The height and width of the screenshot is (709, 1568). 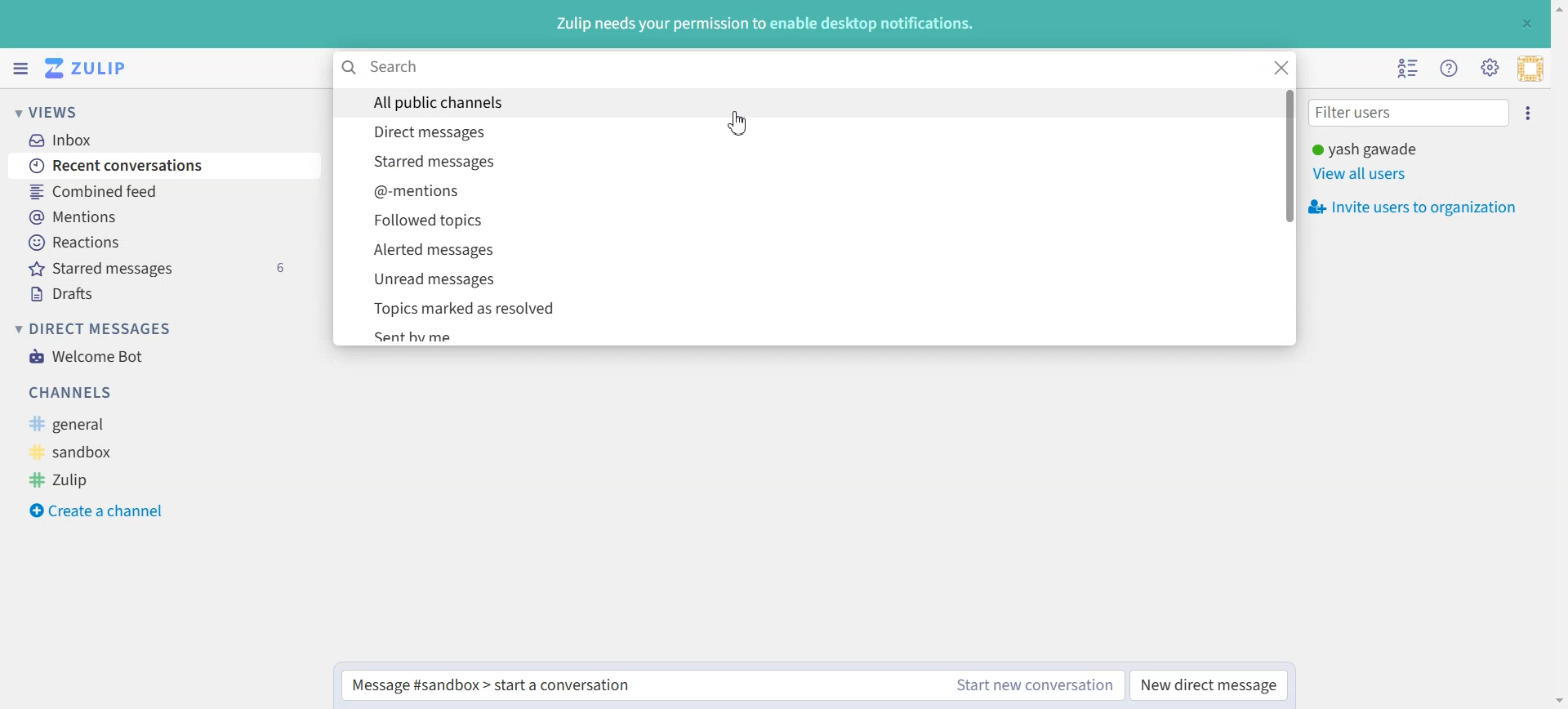 I want to click on Views, so click(x=69, y=111).